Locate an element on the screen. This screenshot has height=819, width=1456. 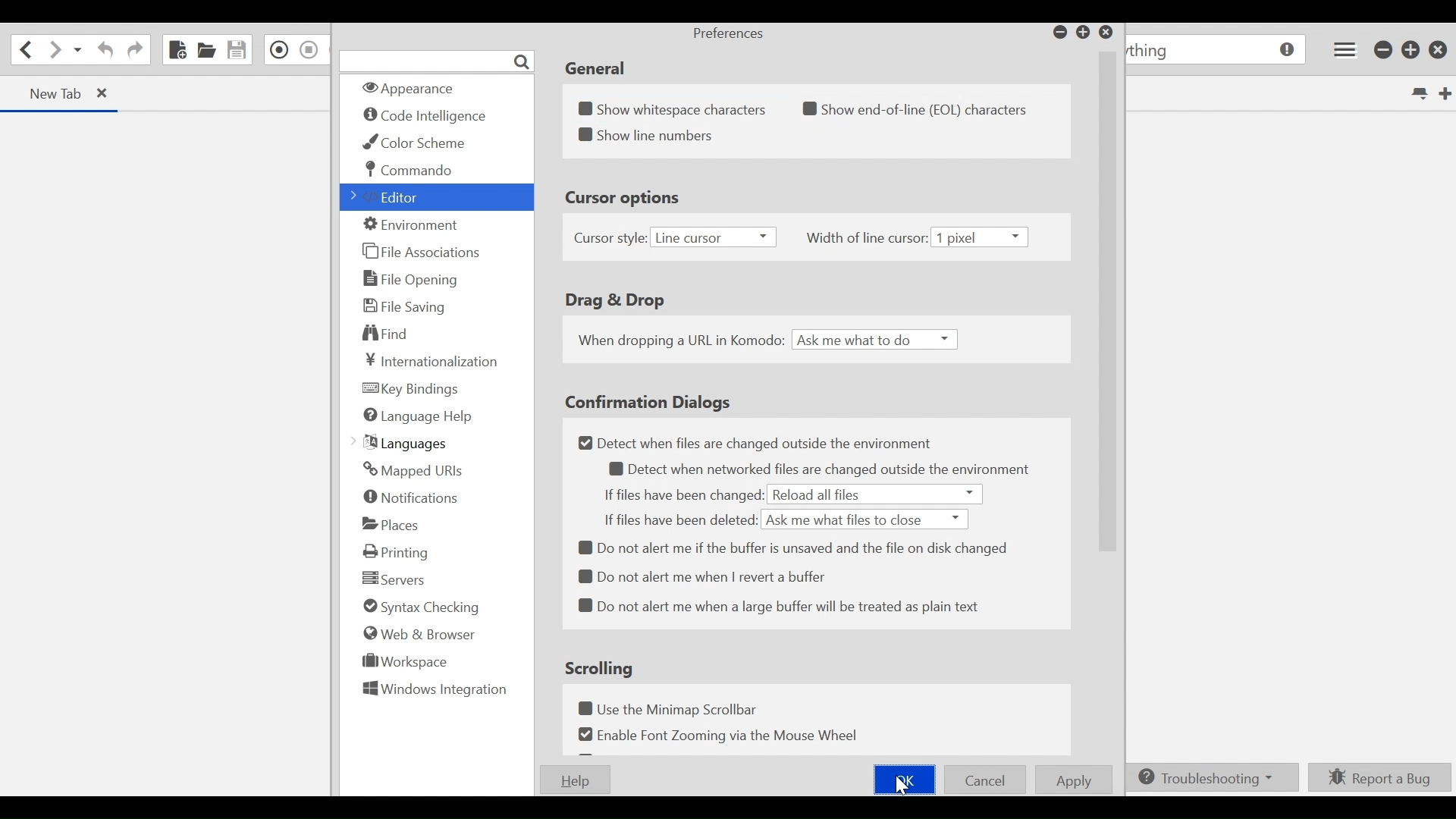
Editor is located at coordinates (389, 197).